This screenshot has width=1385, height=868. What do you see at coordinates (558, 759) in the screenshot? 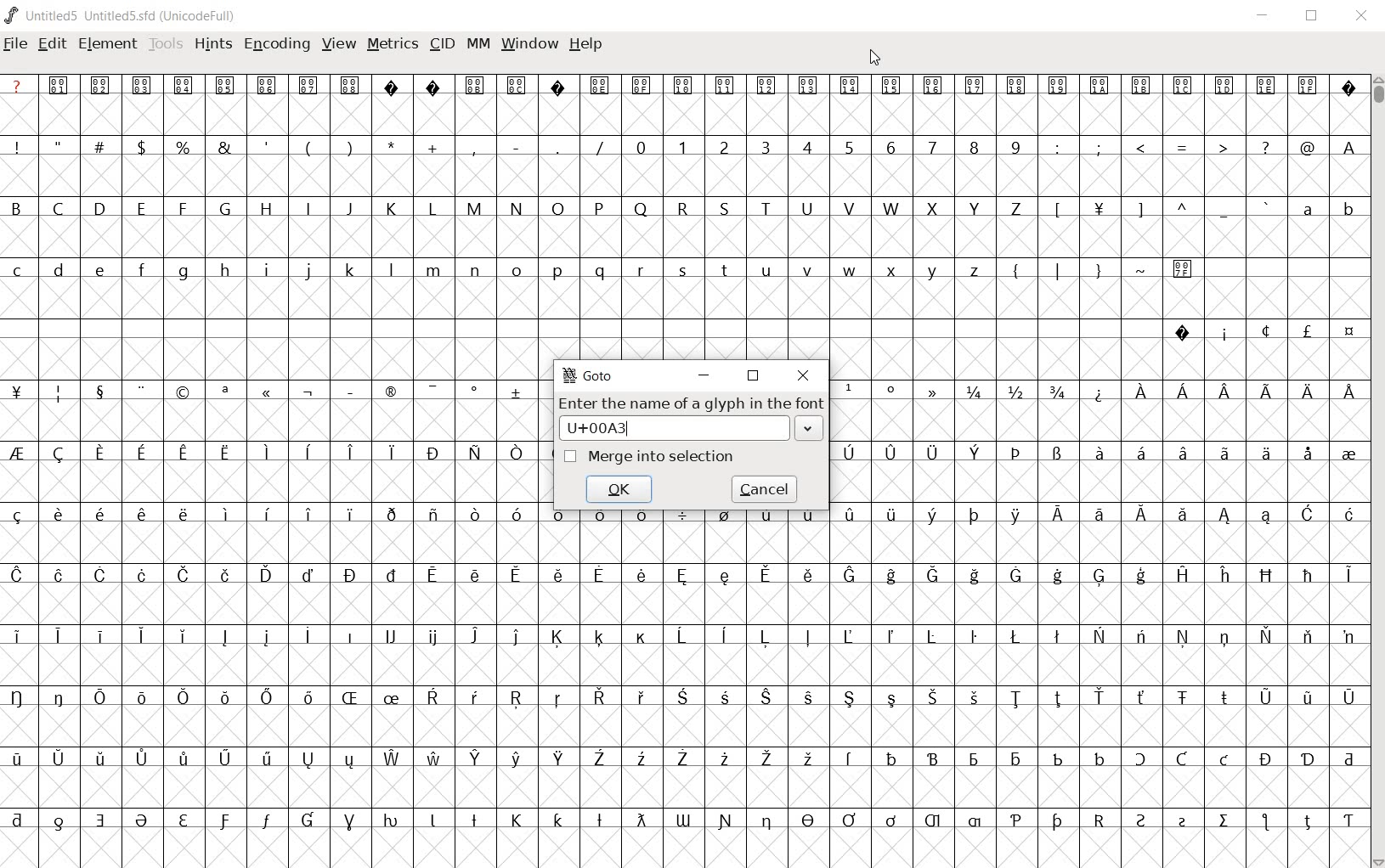
I see `Symbol` at bounding box center [558, 759].